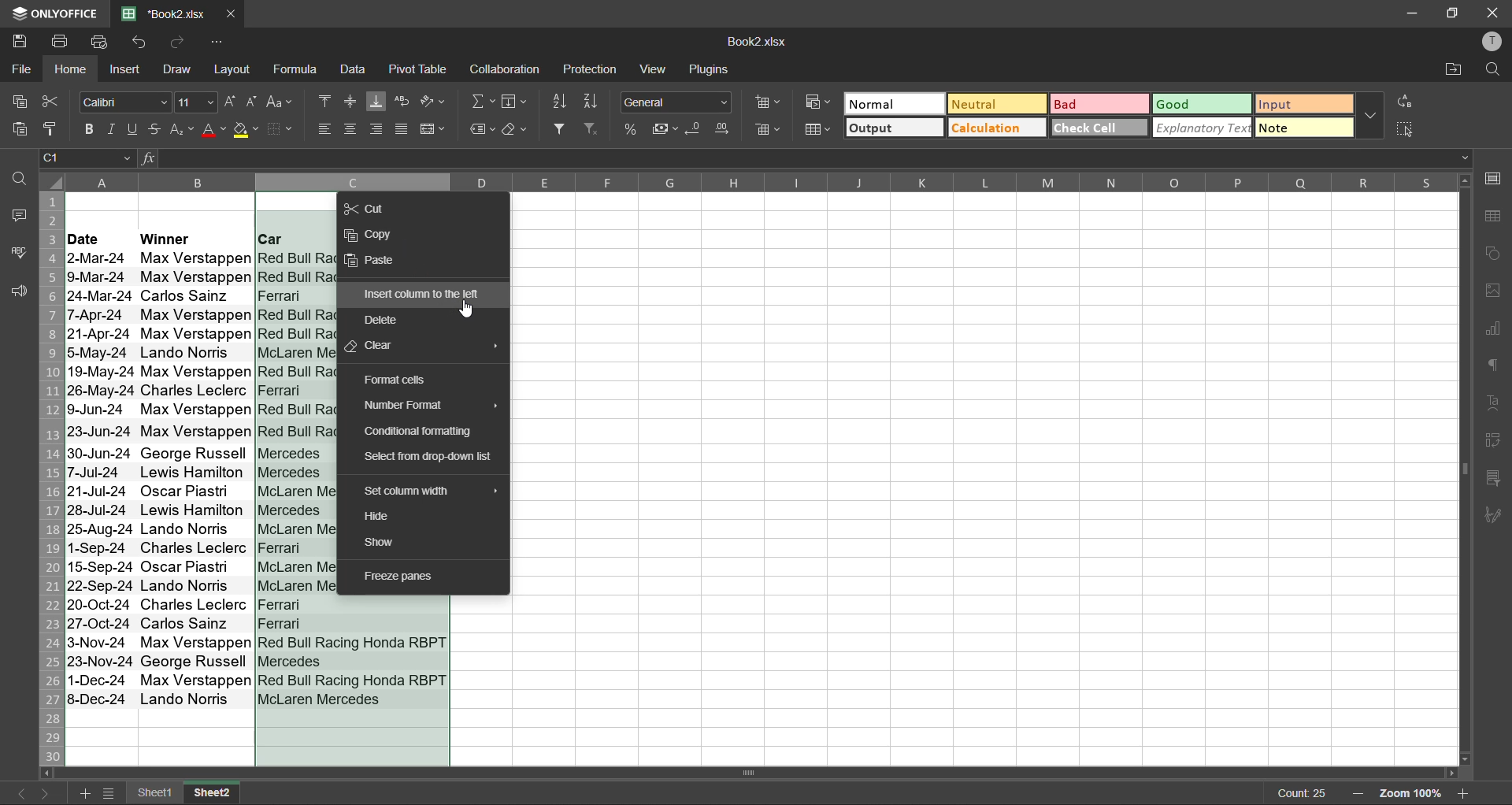 The image size is (1512, 805). Describe the element at coordinates (112, 130) in the screenshot. I see `italic` at that location.